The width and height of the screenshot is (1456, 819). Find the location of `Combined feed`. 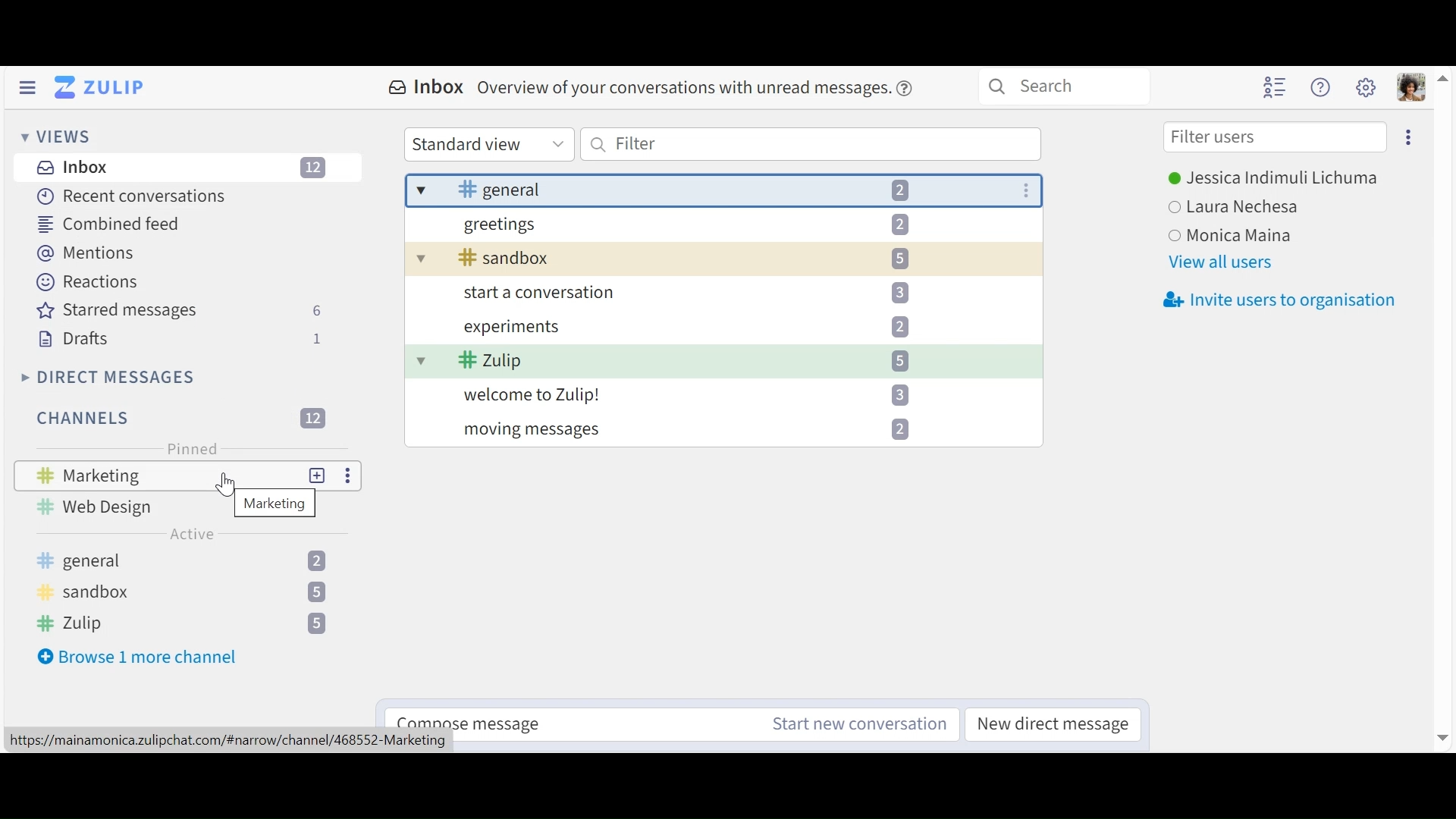

Combined feed is located at coordinates (105, 224).